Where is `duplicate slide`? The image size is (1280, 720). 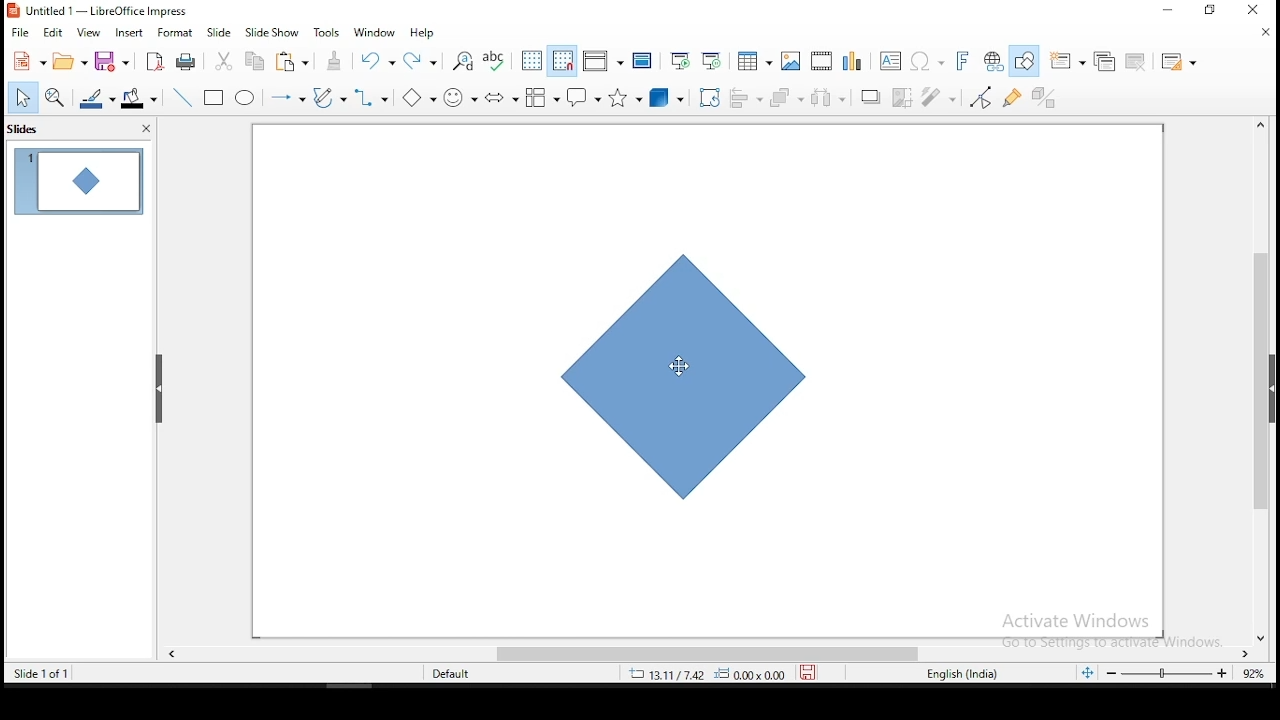 duplicate slide is located at coordinates (1103, 62).